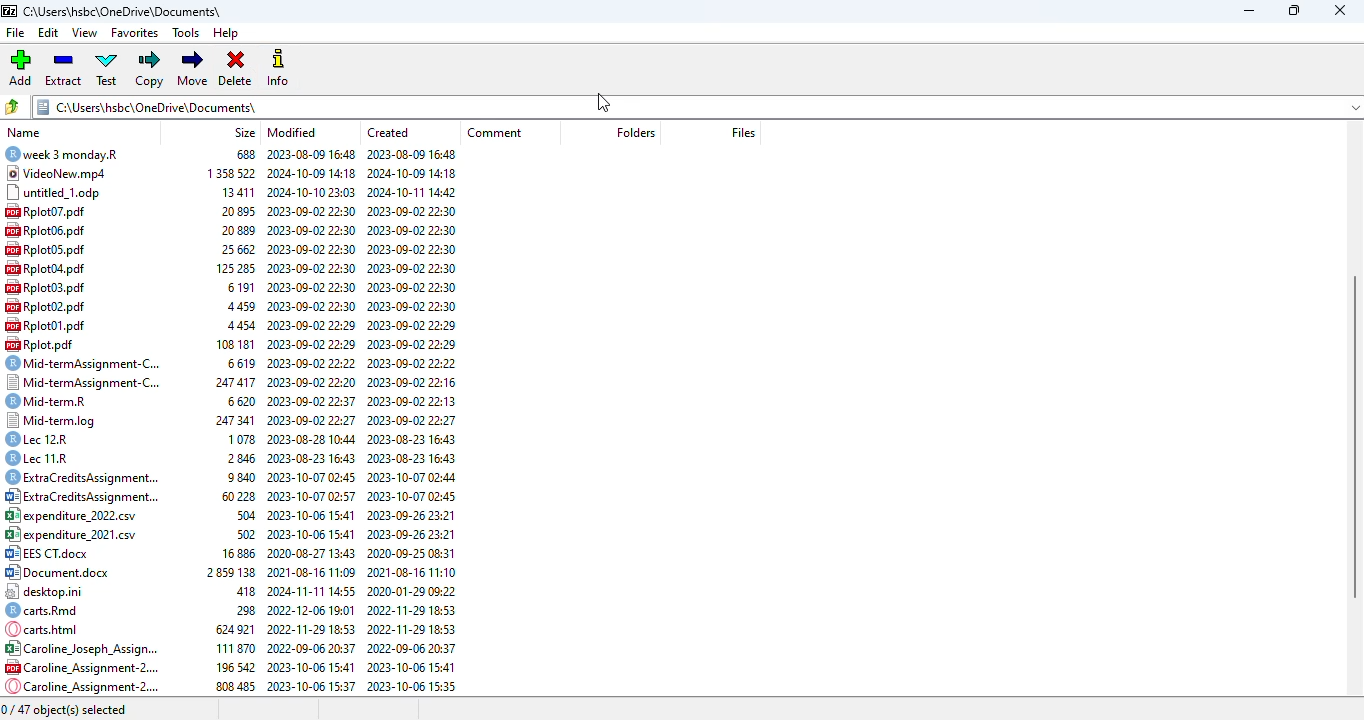 This screenshot has width=1364, height=720. What do you see at coordinates (313, 175) in the screenshot?
I see `2024-10-09 14:18` at bounding box center [313, 175].